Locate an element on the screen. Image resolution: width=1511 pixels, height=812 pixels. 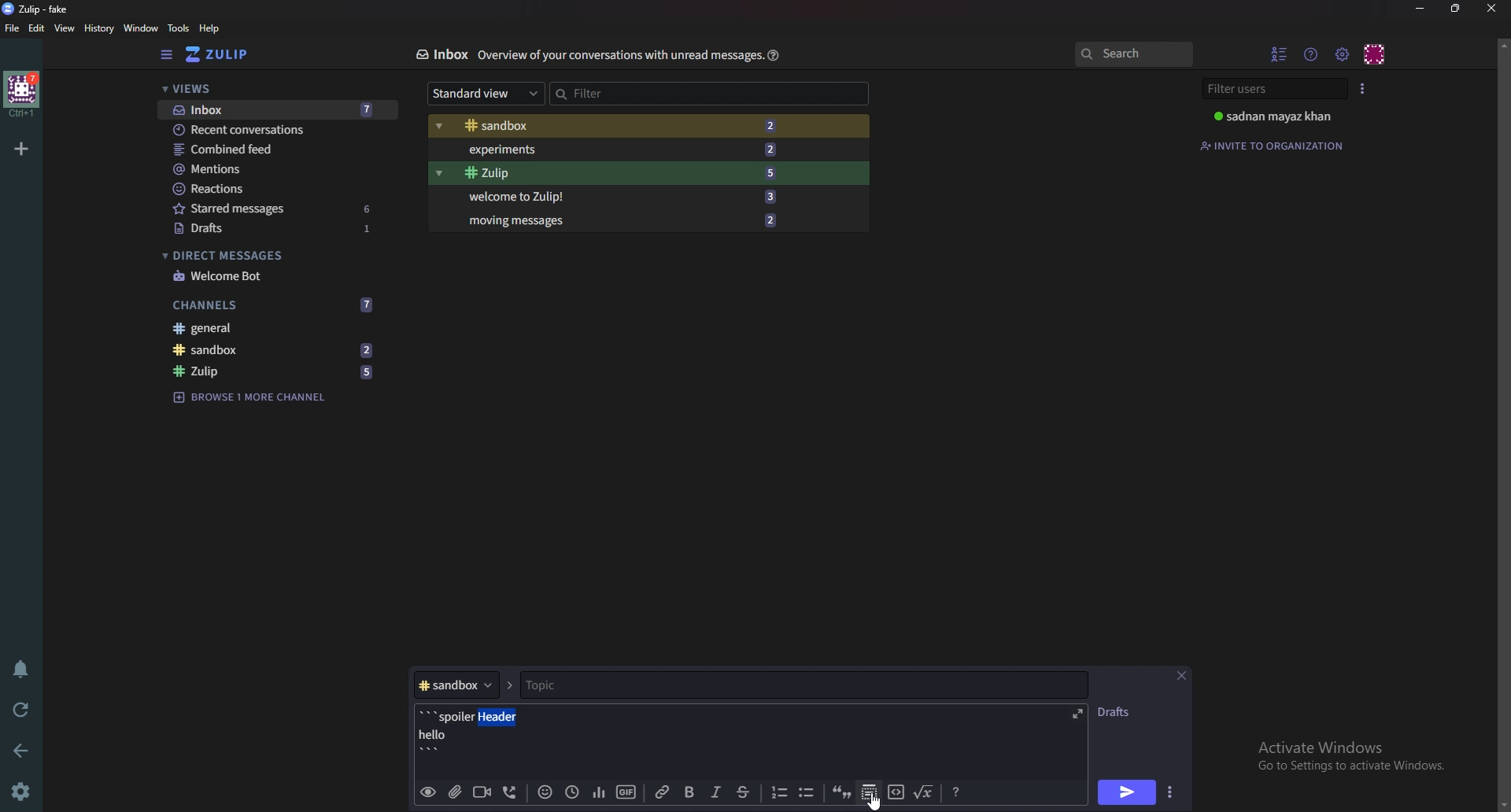
User list style is located at coordinates (1362, 88).